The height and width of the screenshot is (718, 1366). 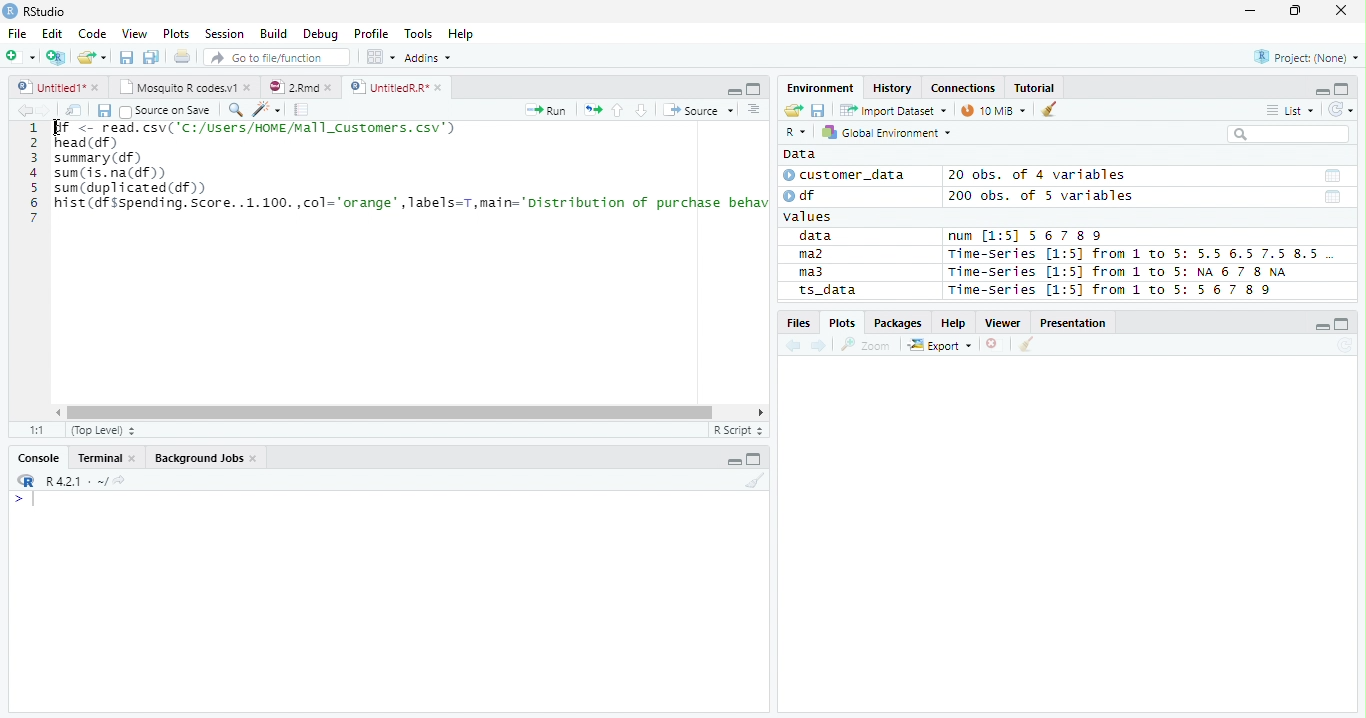 What do you see at coordinates (822, 88) in the screenshot?
I see `Environment` at bounding box center [822, 88].